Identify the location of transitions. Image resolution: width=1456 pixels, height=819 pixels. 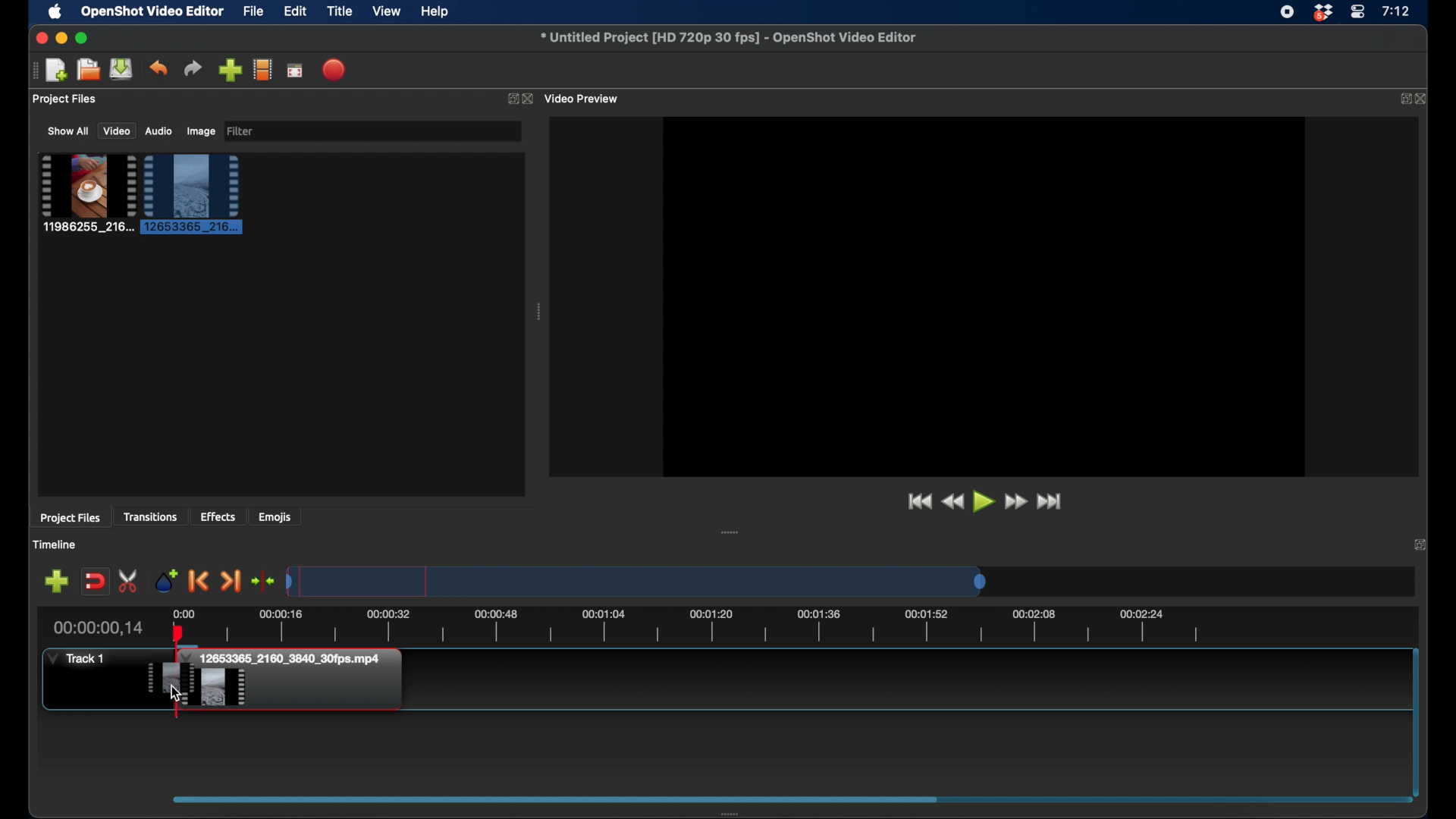
(150, 517).